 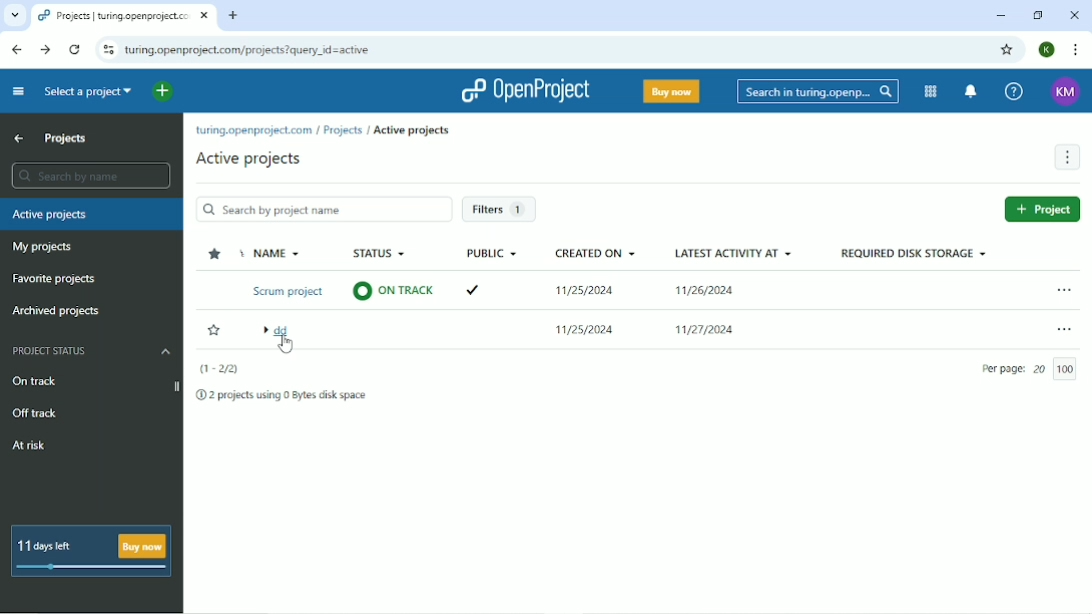 I want to click on Archived projects, so click(x=57, y=310).